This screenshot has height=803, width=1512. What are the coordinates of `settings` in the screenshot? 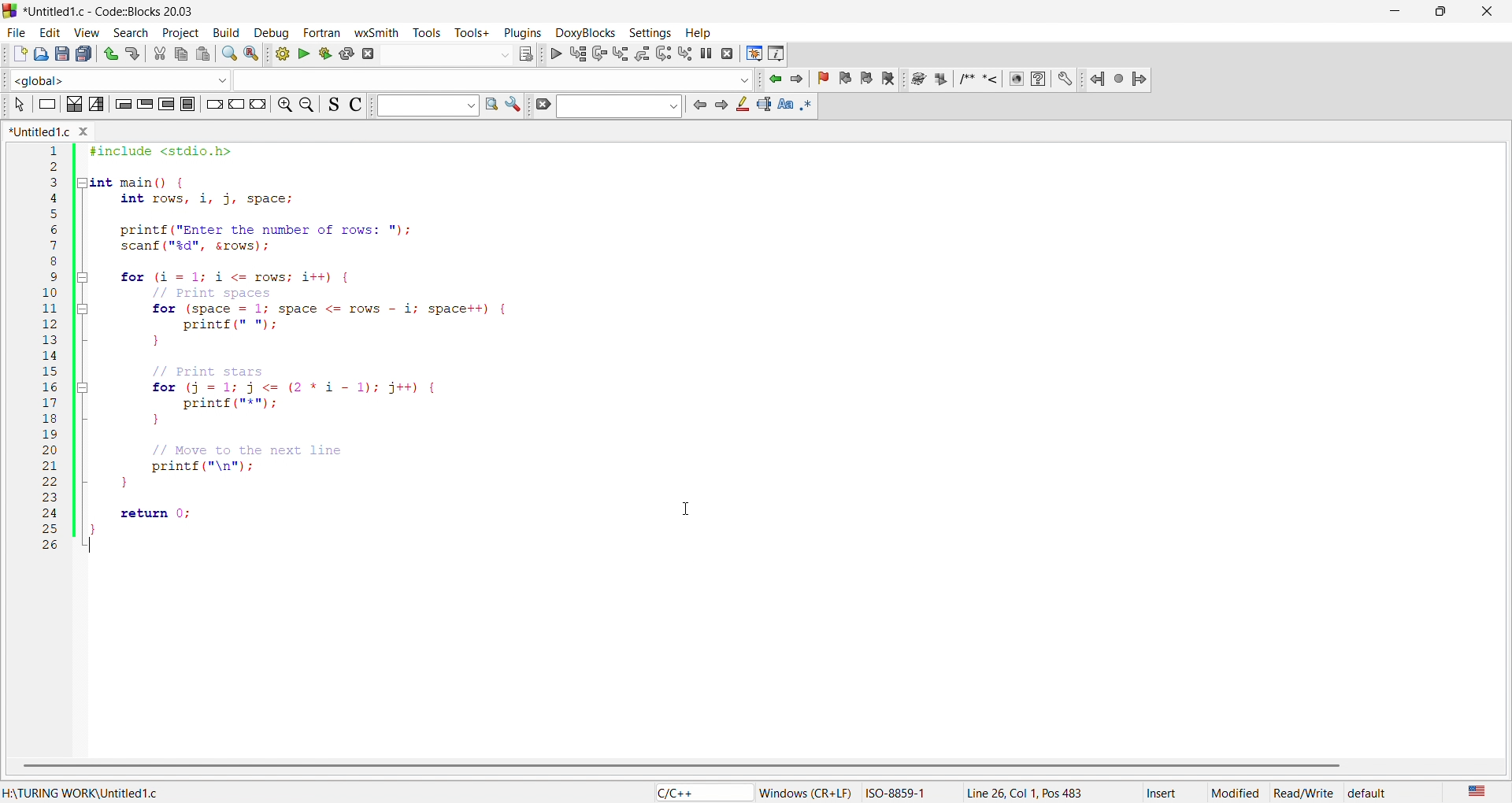 It's located at (650, 29).